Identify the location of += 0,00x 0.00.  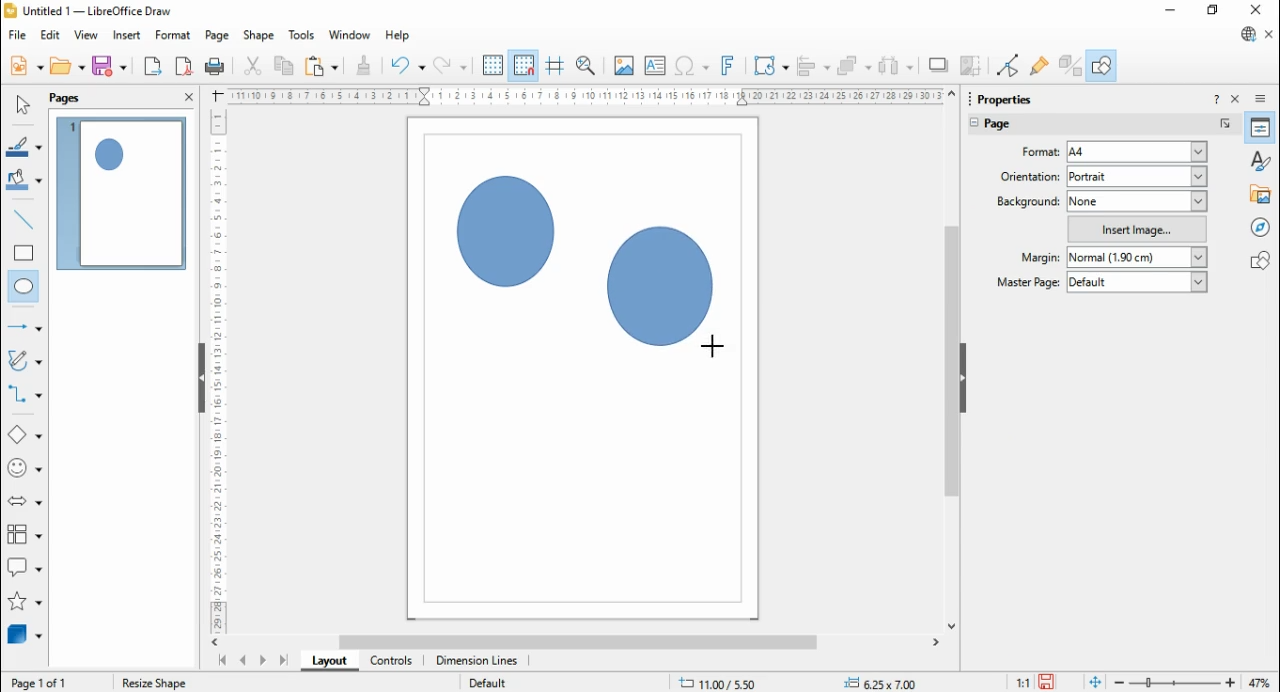
(886, 682).